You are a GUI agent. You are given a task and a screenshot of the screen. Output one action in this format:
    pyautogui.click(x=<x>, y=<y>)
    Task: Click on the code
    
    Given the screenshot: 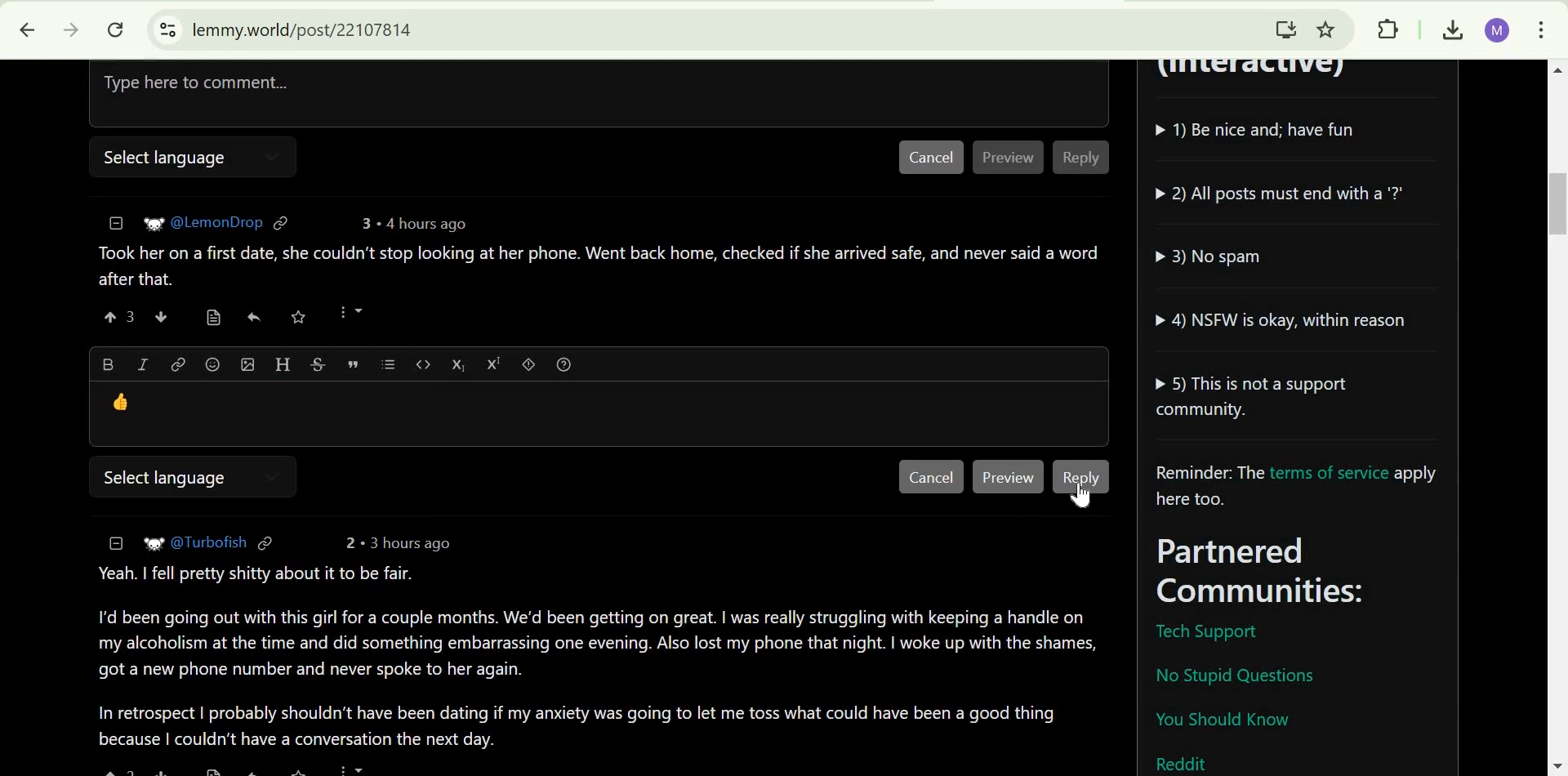 What is the action you would take?
    pyautogui.click(x=422, y=363)
    